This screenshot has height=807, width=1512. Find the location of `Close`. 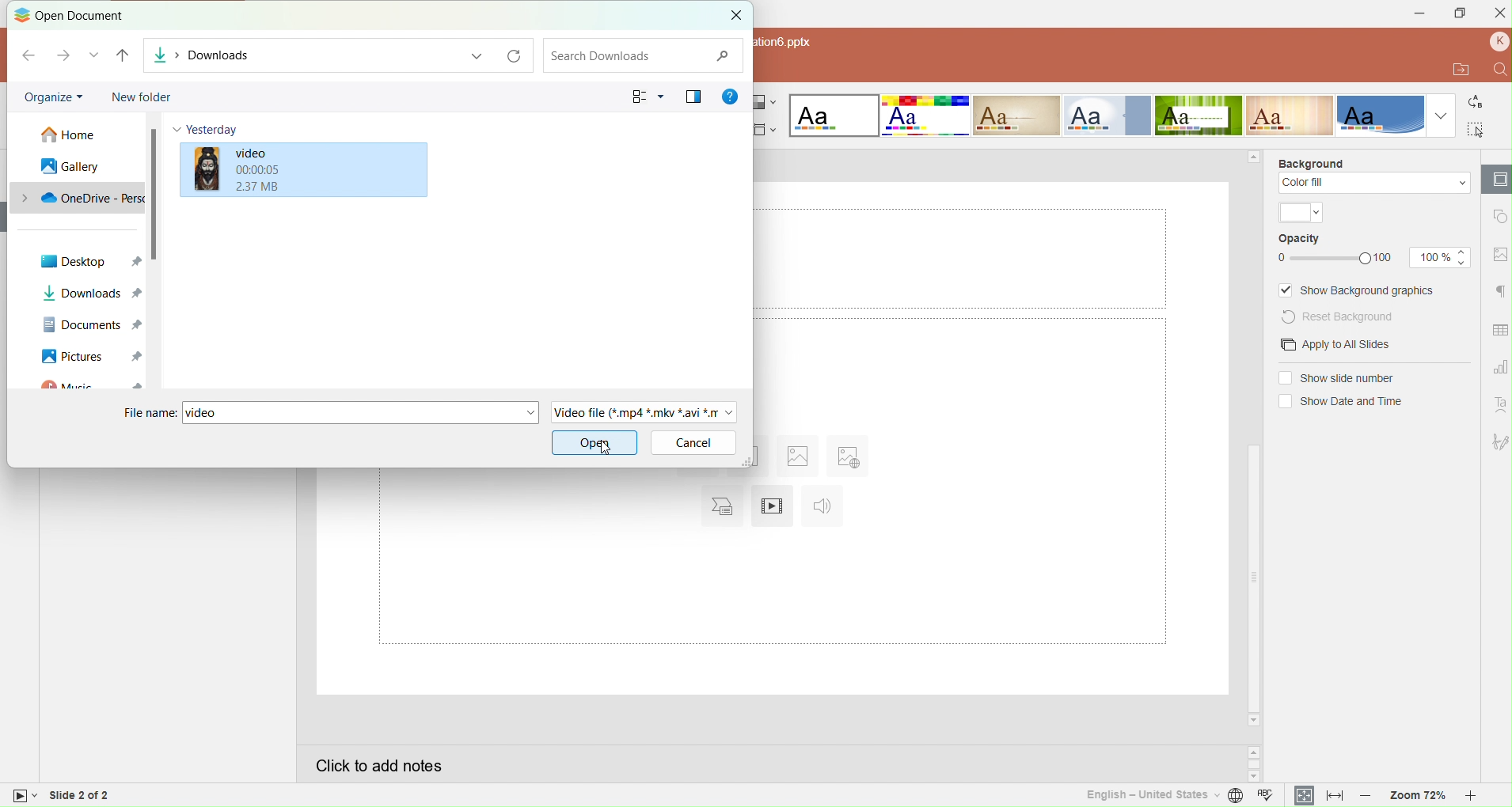

Close is located at coordinates (1498, 13).